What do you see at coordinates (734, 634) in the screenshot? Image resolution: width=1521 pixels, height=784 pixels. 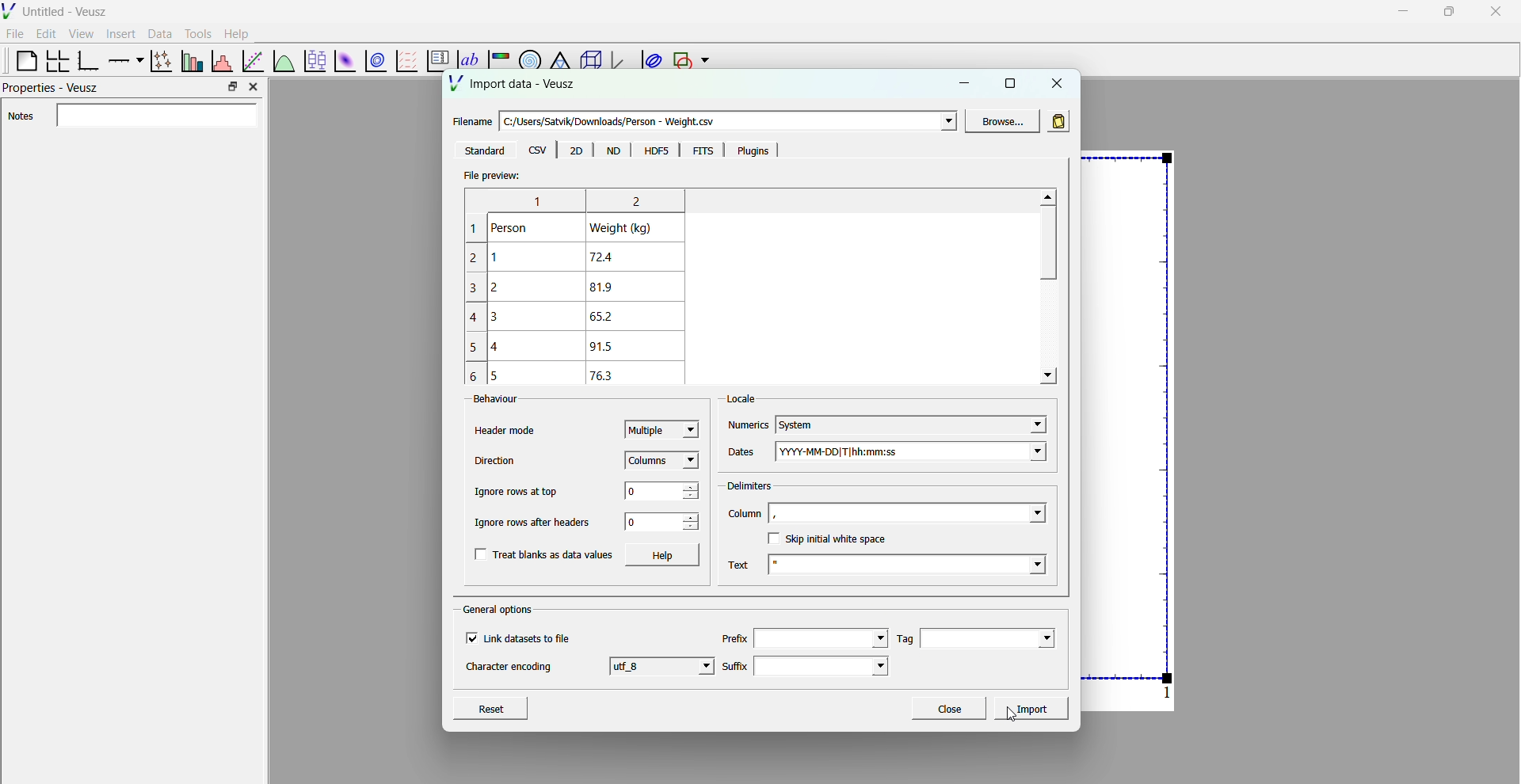 I see `Prefix` at bounding box center [734, 634].